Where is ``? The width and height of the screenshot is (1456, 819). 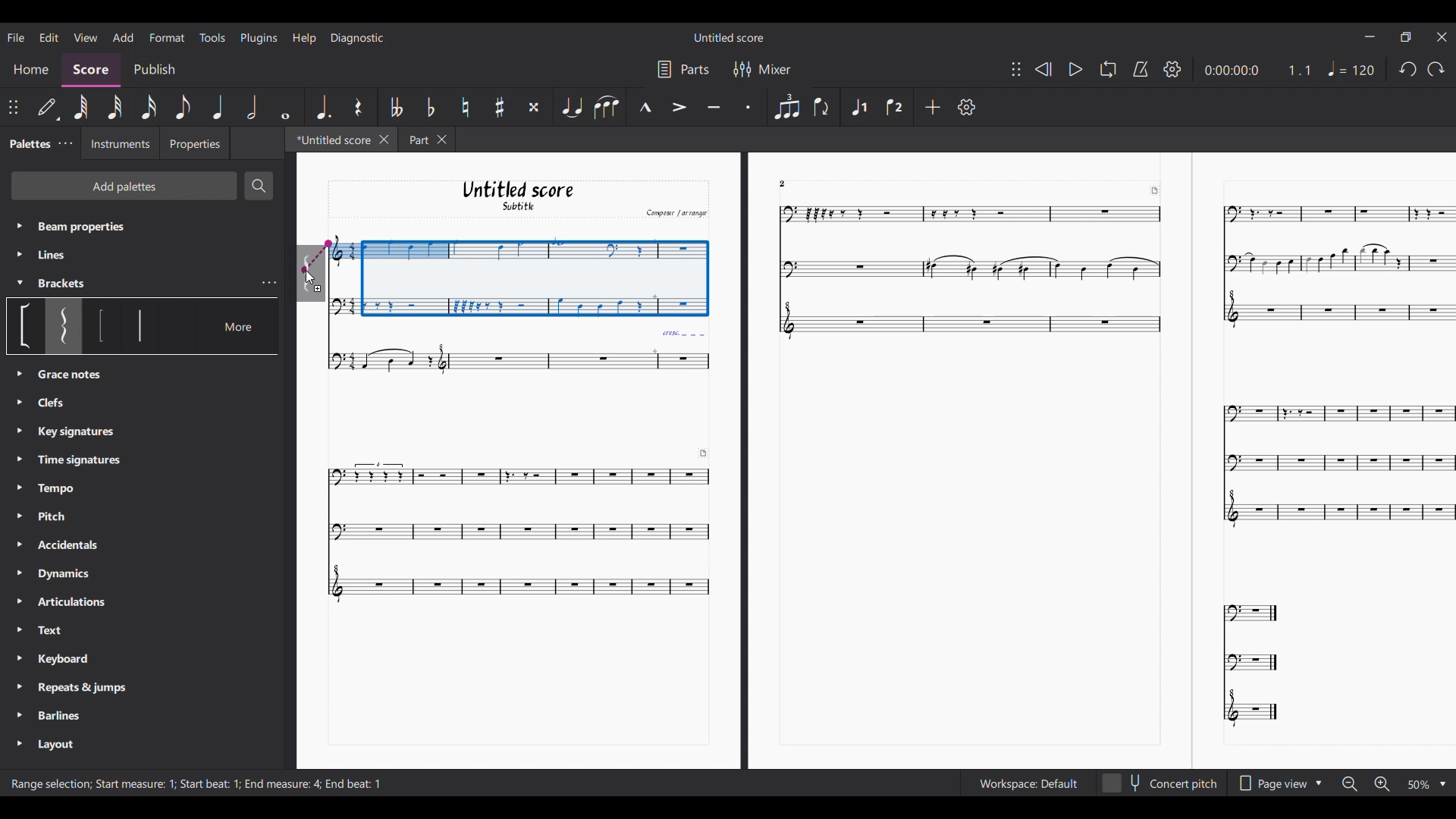
 is located at coordinates (1338, 307).